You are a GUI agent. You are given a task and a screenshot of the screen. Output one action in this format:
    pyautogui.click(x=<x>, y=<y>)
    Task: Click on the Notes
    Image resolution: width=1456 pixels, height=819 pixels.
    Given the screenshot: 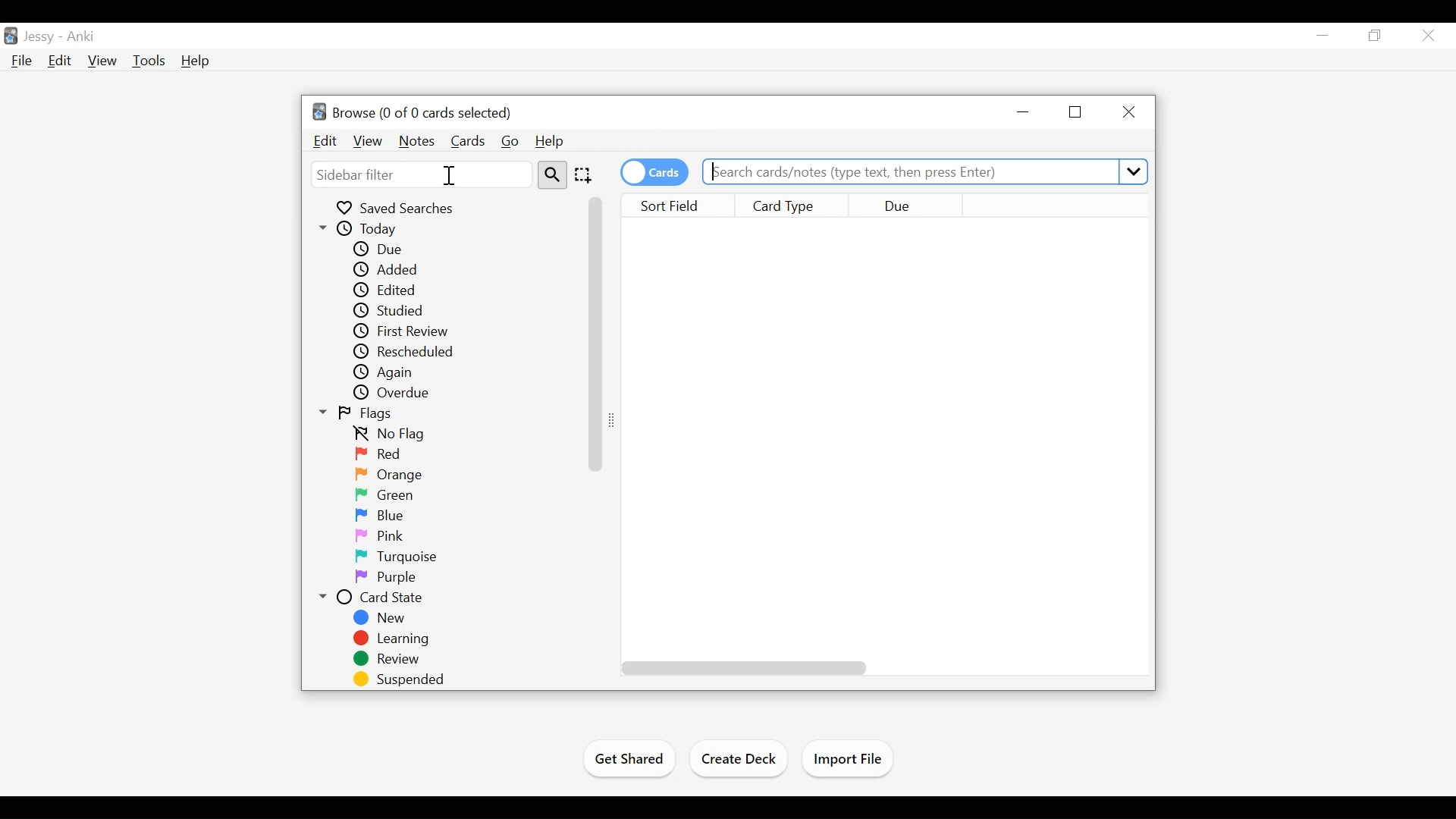 What is the action you would take?
    pyautogui.click(x=416, y=140)
    